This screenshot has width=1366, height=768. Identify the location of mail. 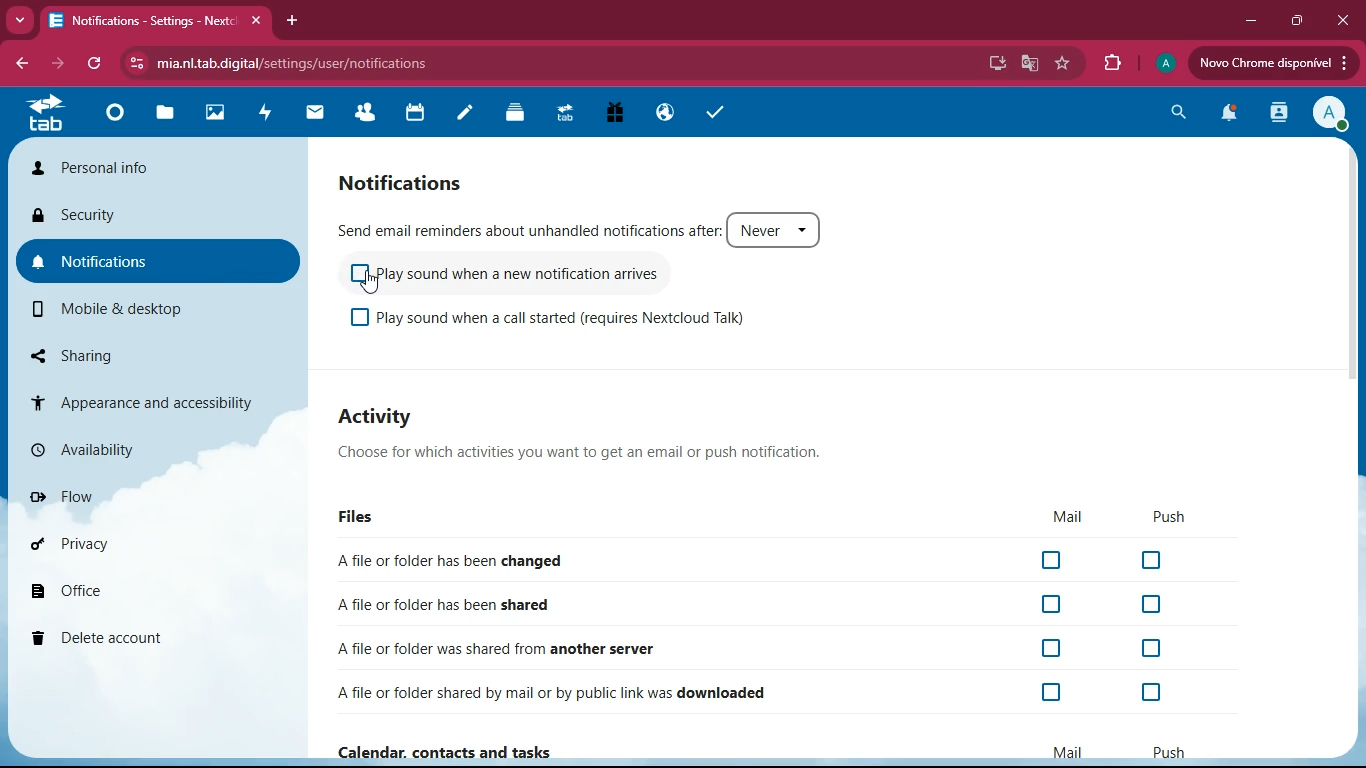
(1069, 751).